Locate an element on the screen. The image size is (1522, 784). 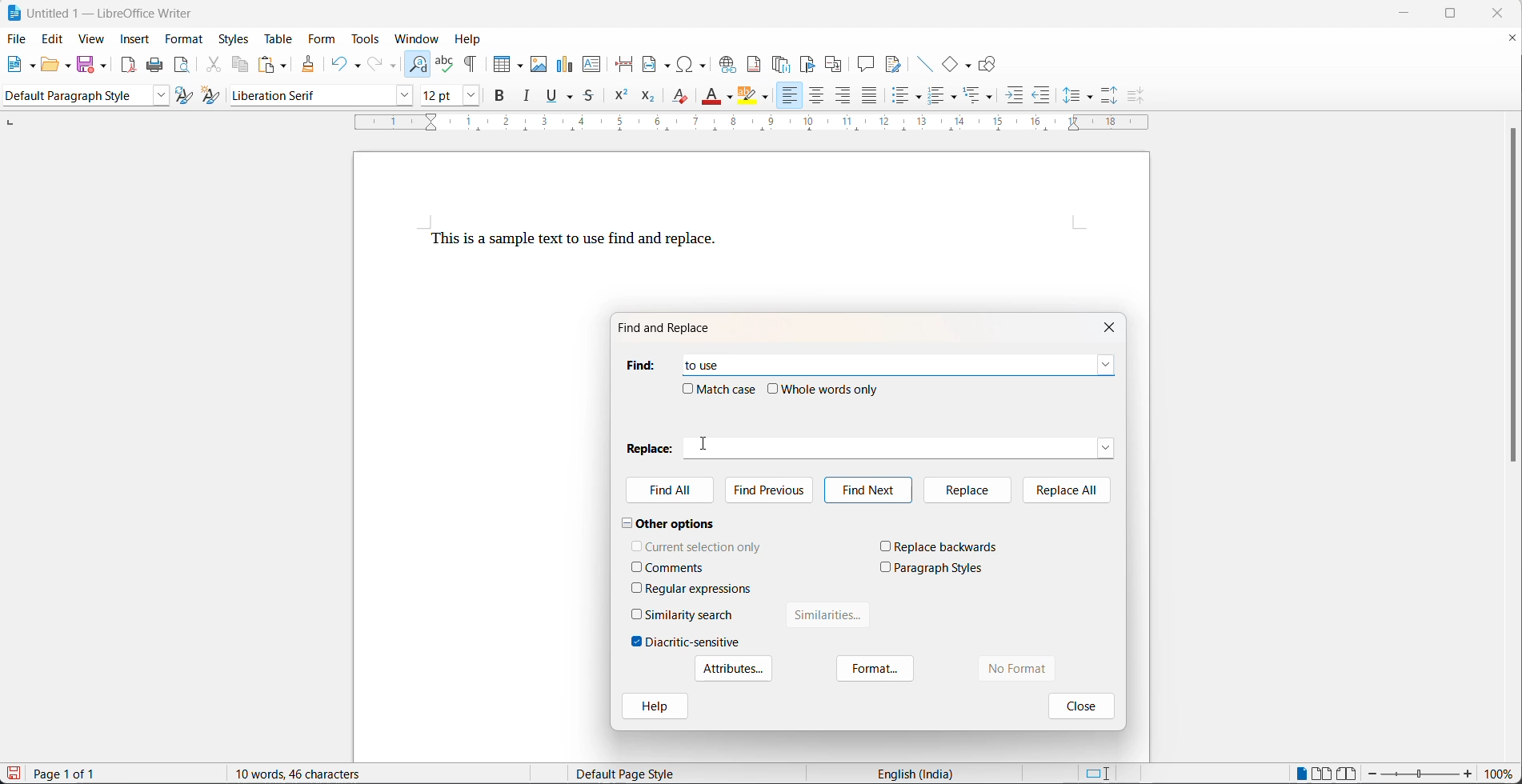
styles is located at coordinates (234, 38).